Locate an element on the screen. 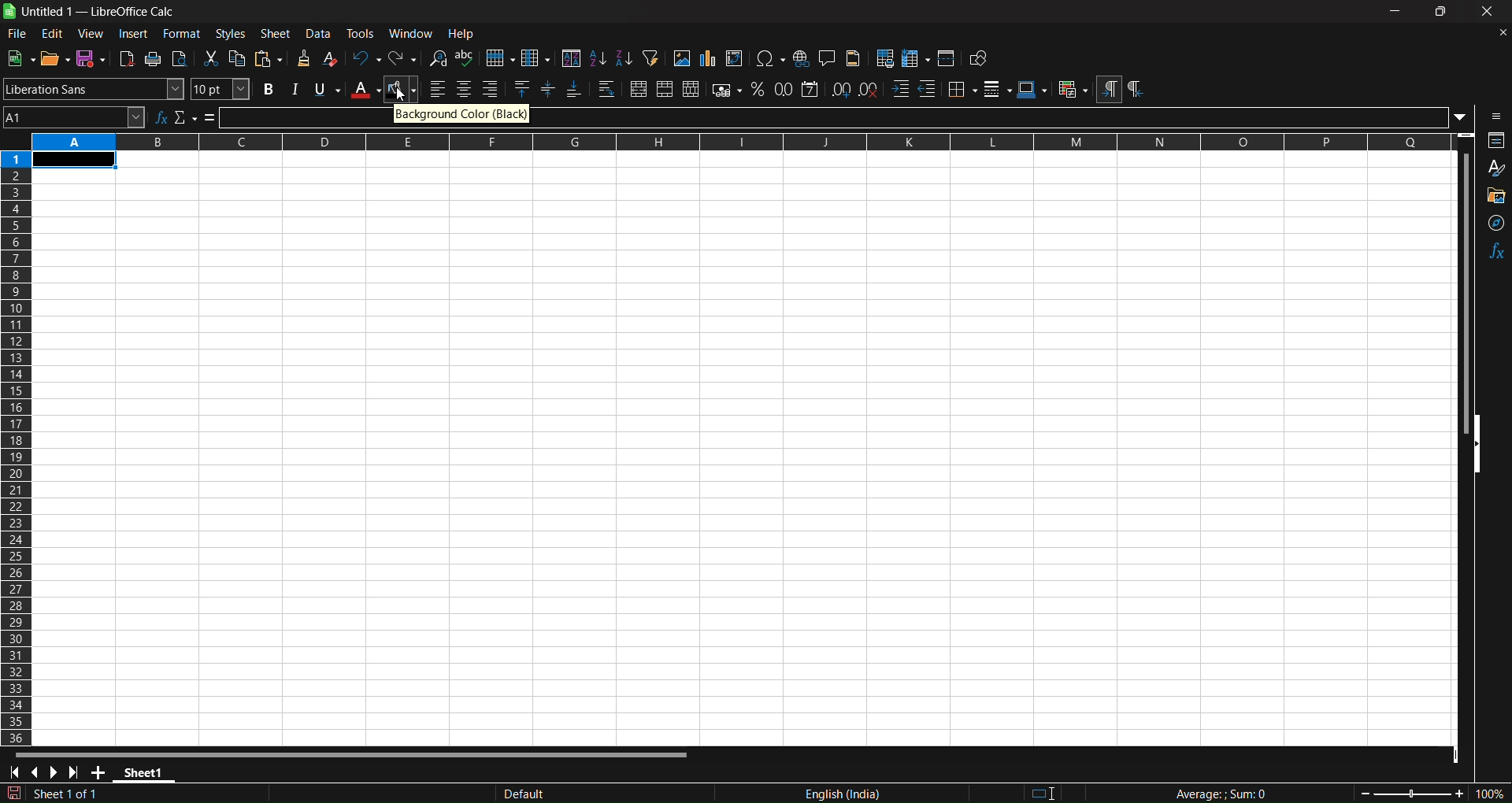 The height and width of the screenshot is (803, 1512). select function is located at coordinates (187, 117).